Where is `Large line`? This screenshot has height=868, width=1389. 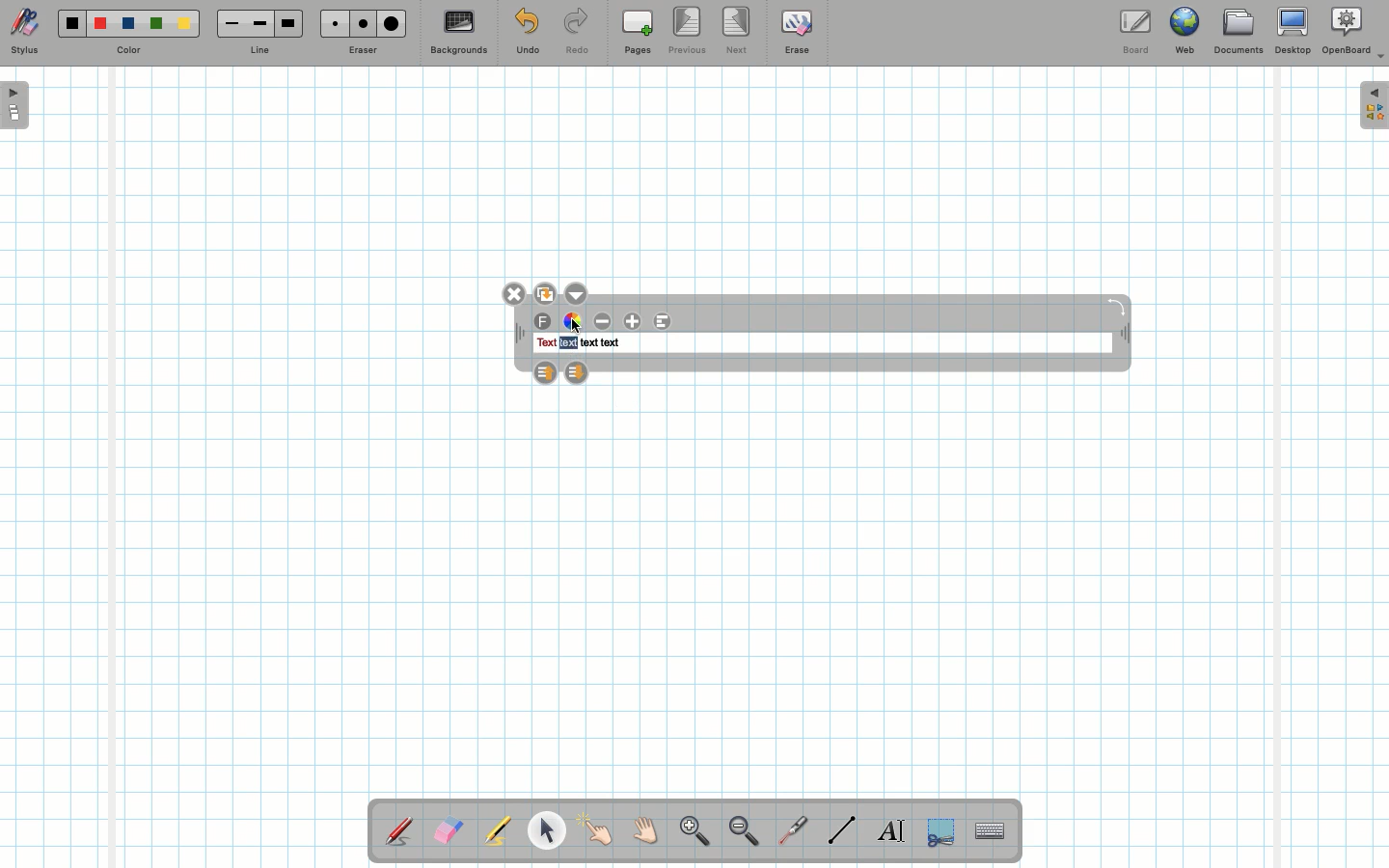
Large line is located at coordinates (289, 23).